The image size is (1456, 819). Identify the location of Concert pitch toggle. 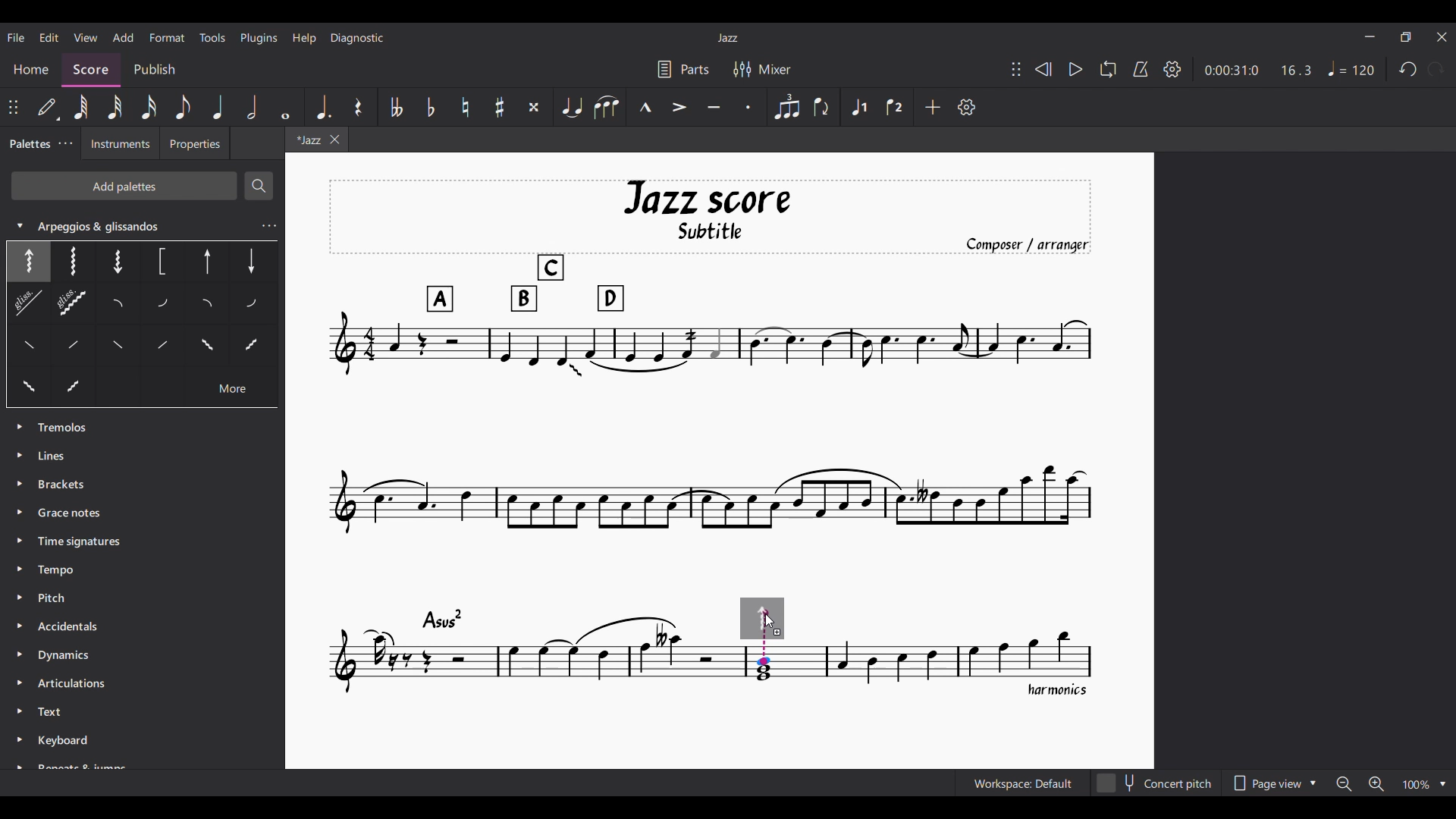
(1156, 783).